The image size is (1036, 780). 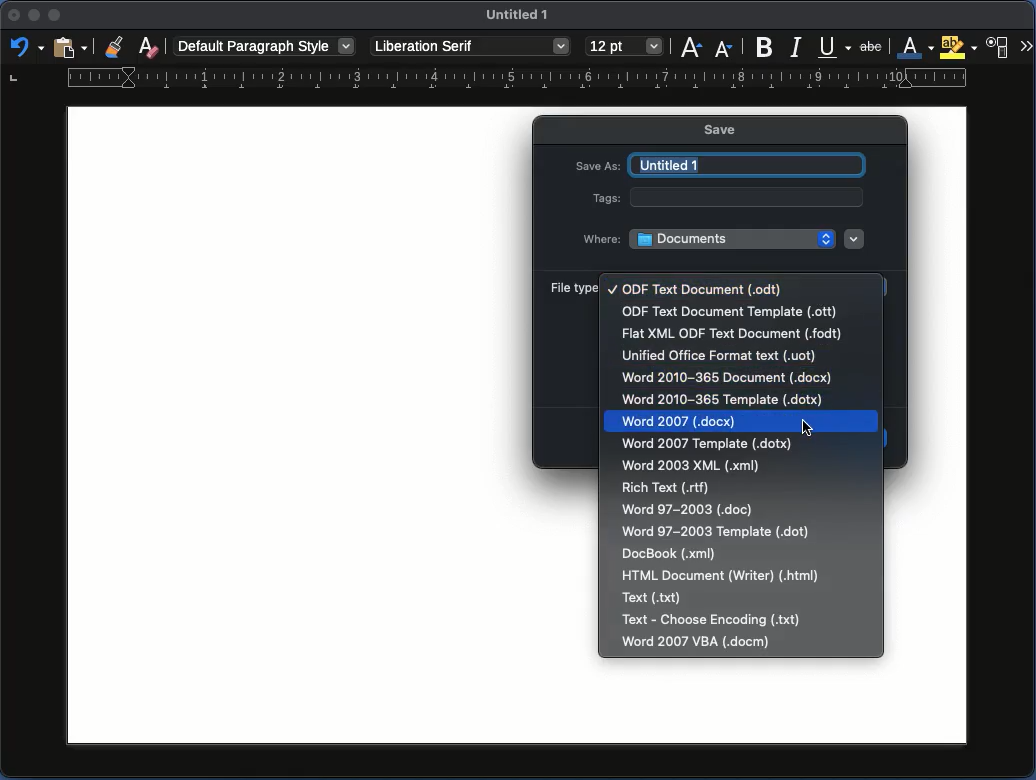 I want to click on html, so click(x=720, y=576).